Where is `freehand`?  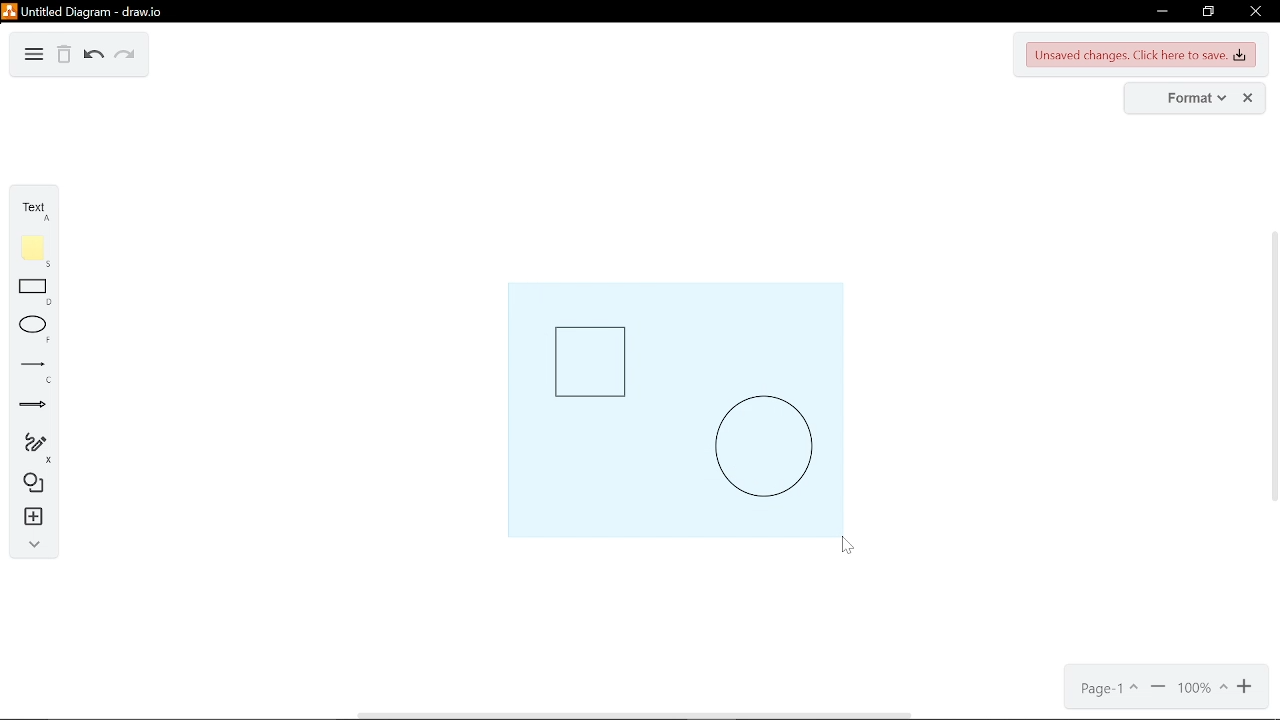
freehand is located at coordinates (27, 448).